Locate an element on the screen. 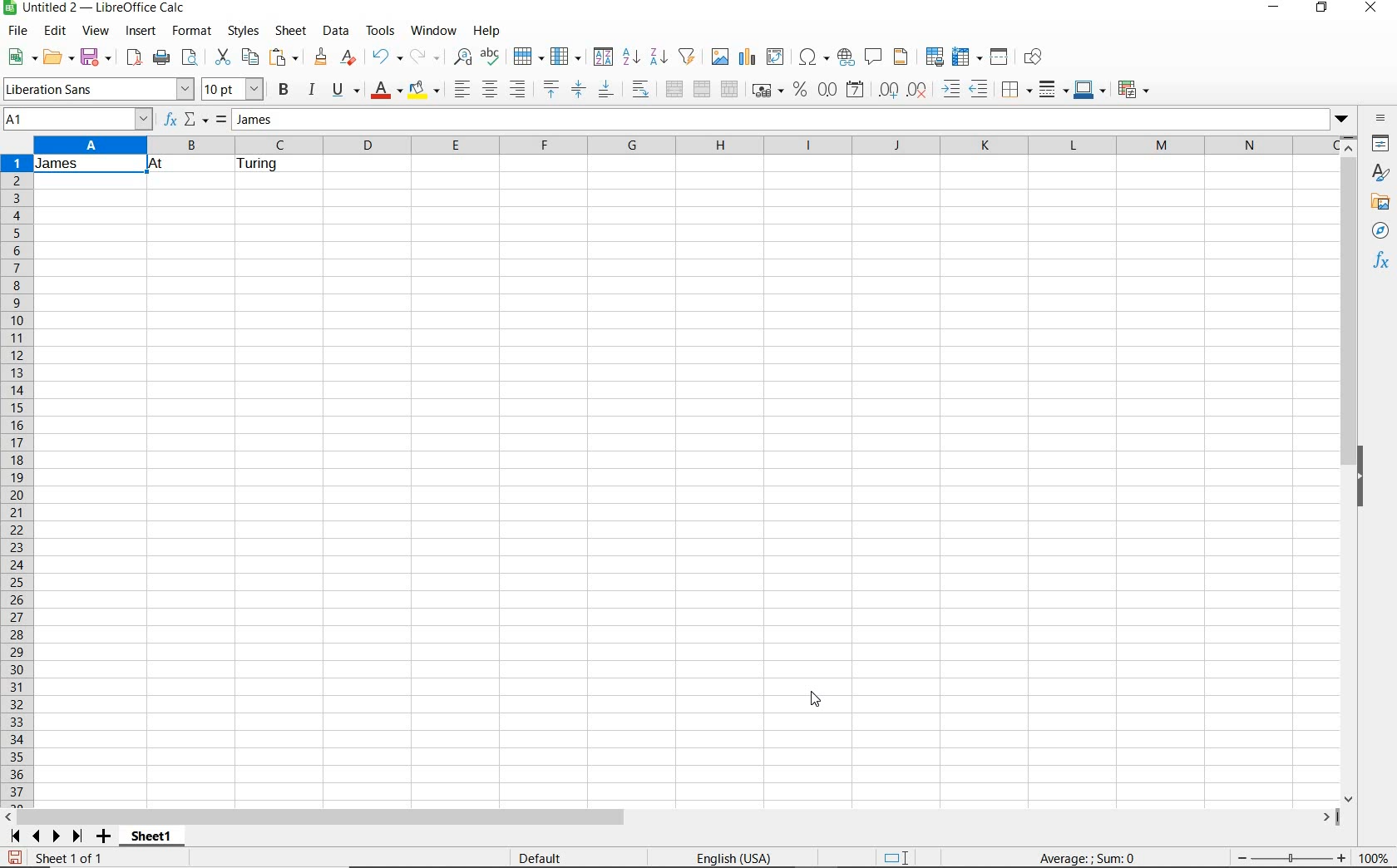  format is located at coordinates (193, 33).